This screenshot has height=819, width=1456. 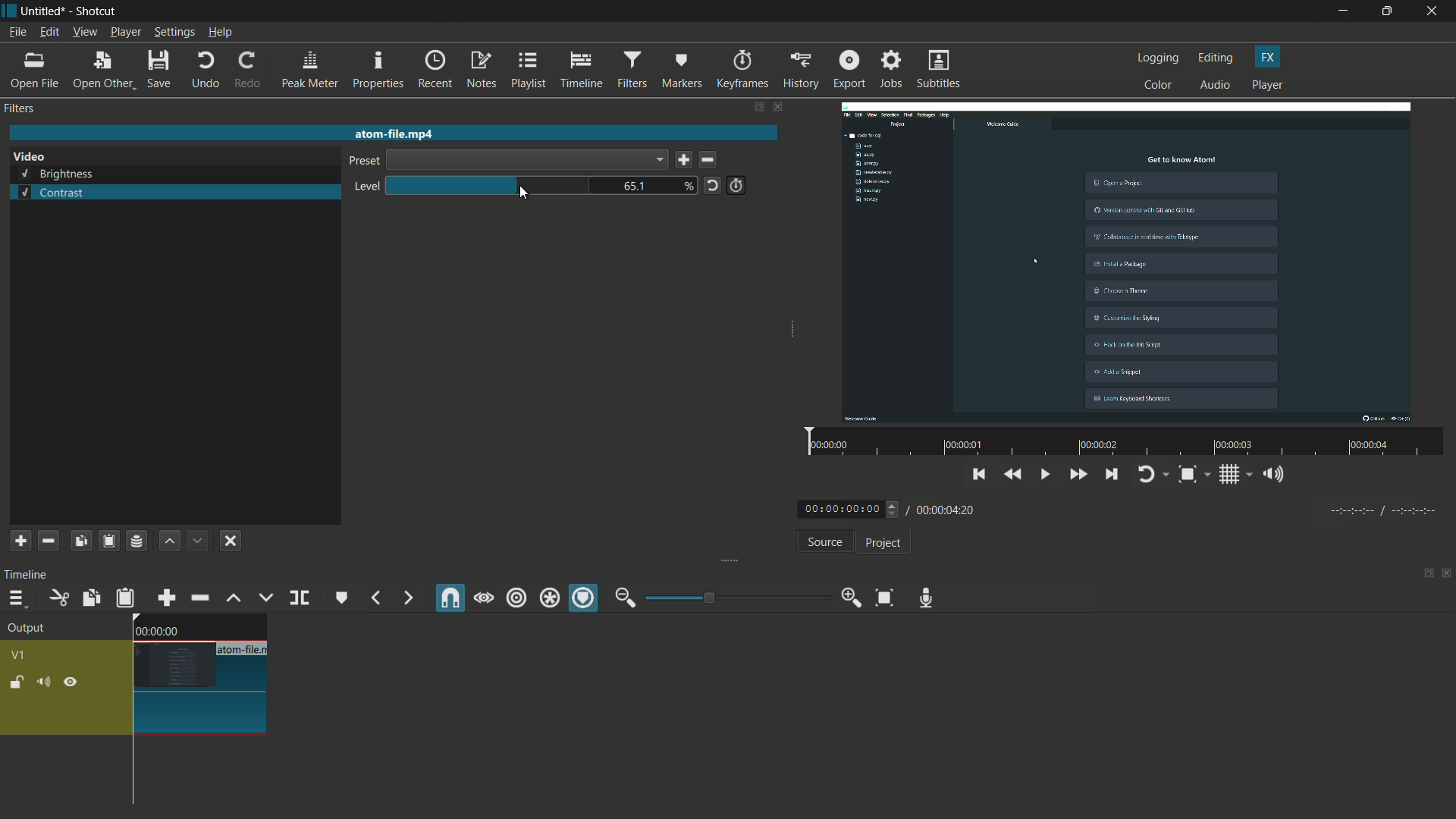 I want to click on toggle zoom, so click(x=1193, y=475).